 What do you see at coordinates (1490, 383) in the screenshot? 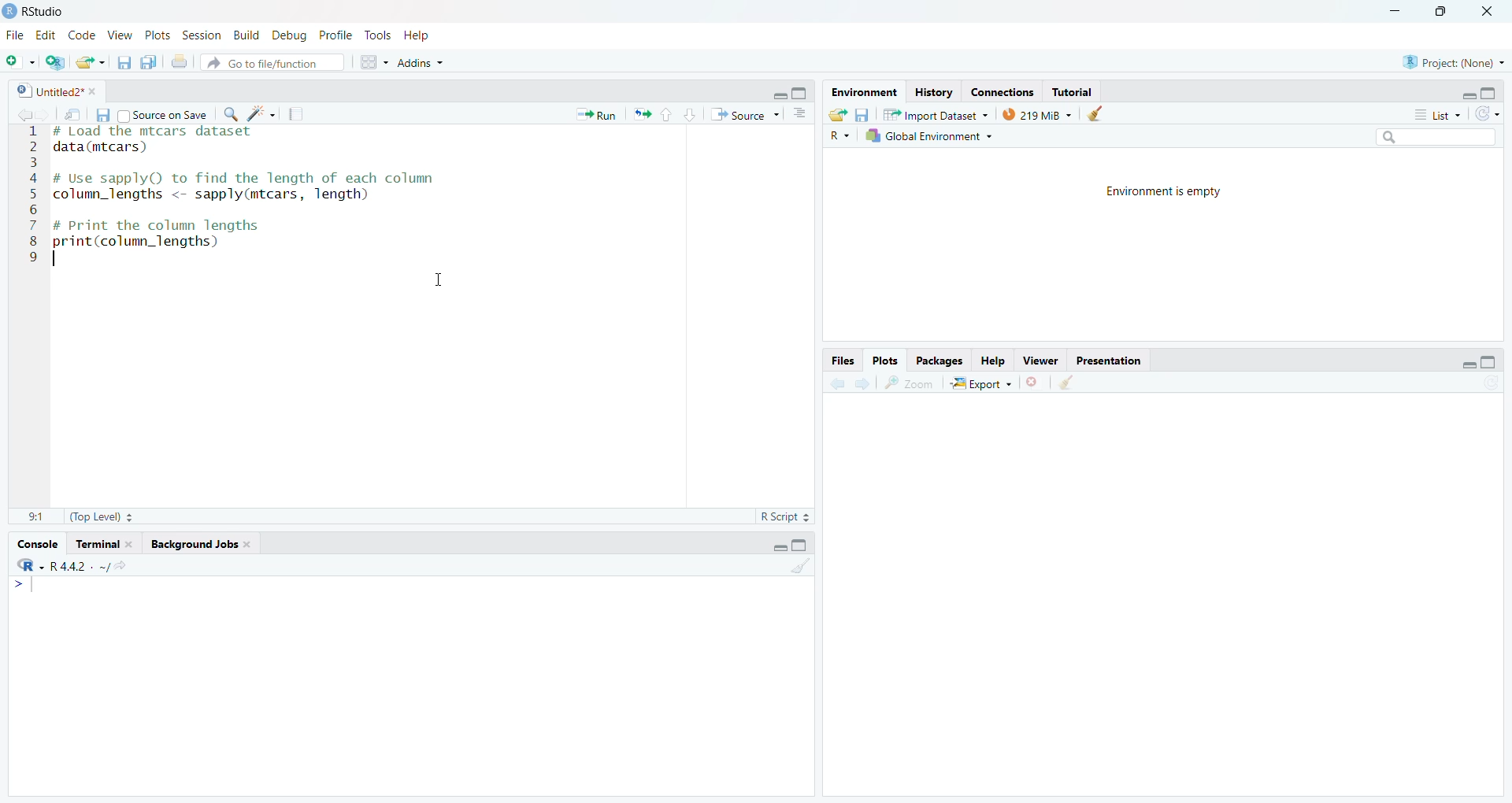
I see `Refresh list` at bounding box center [1490, 383].